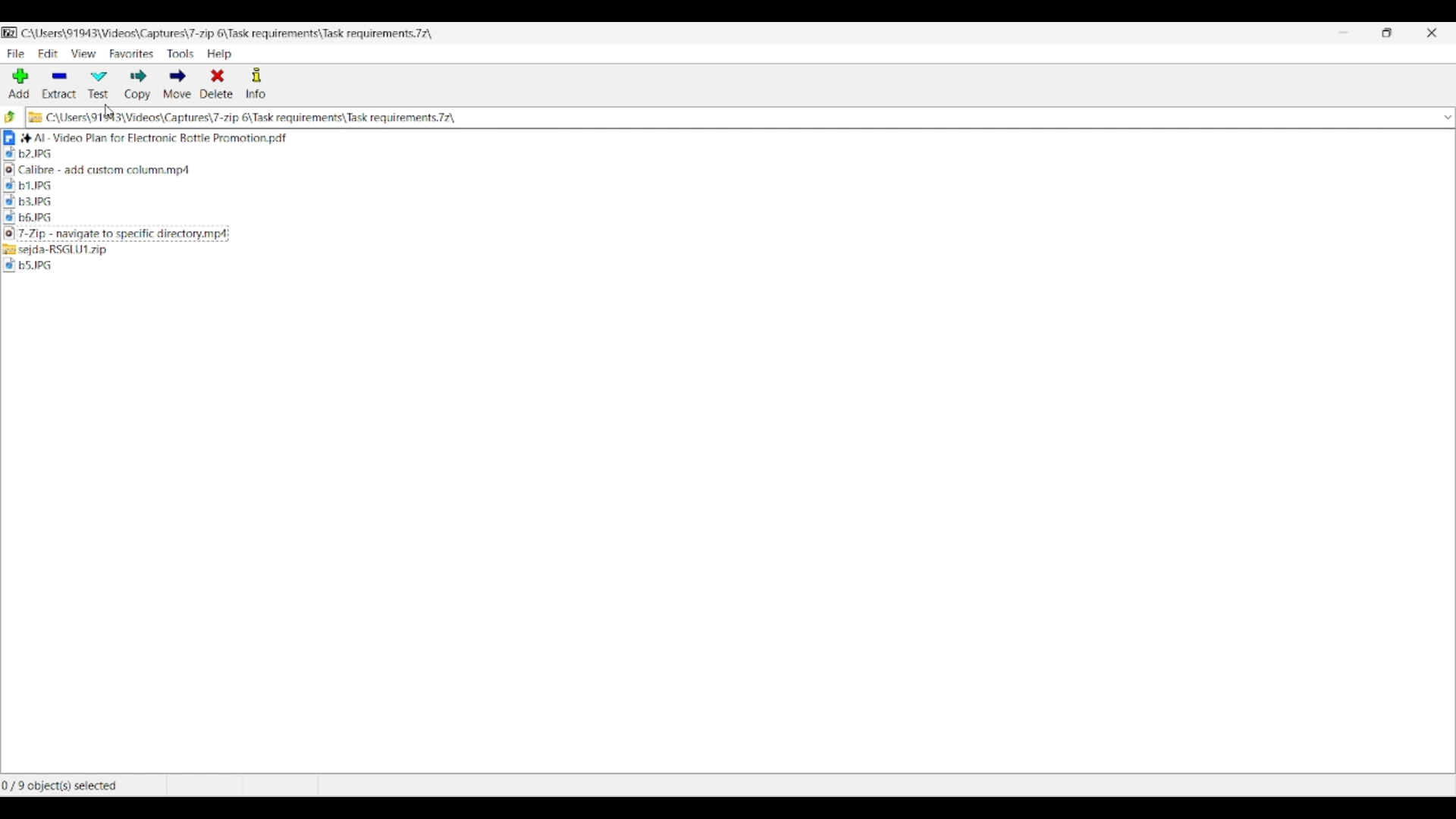 The width and height of the screenshot is (1456, 819). I want to click on file 3 and type, so click(416, 172).